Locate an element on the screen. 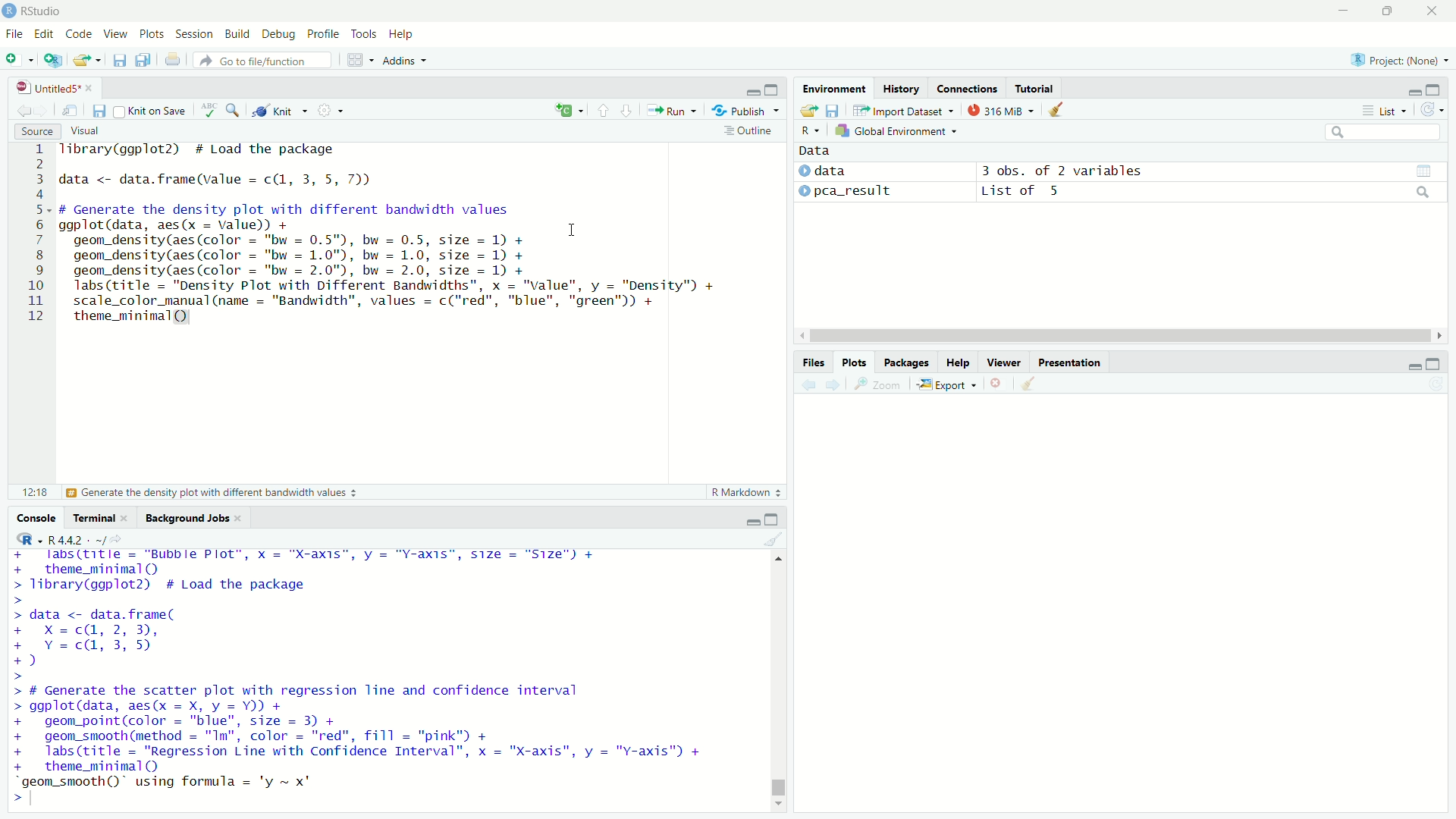 The height and width of the screenshot is (819, 1456). 12:18 is located at coordinates (35, 491).